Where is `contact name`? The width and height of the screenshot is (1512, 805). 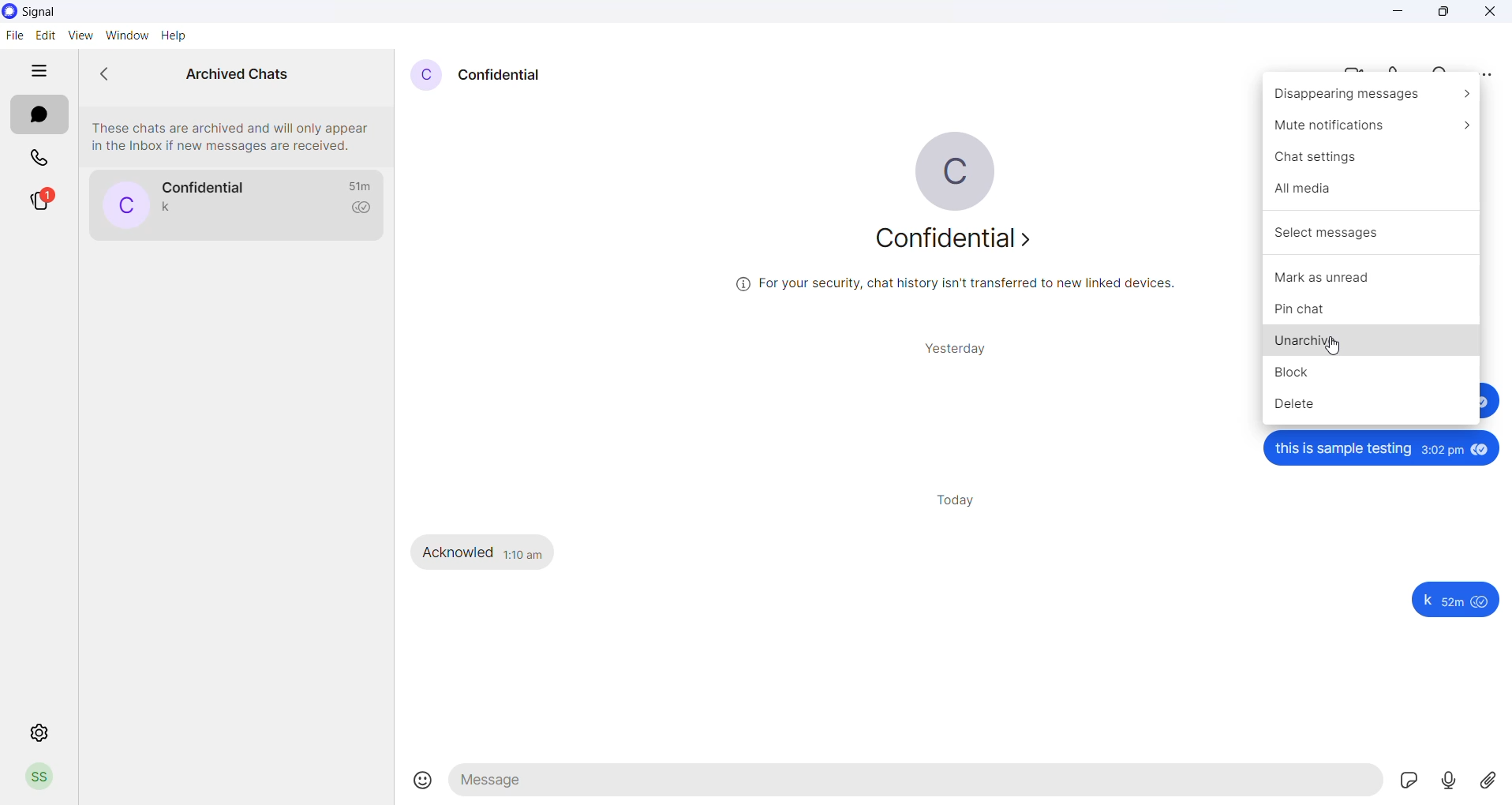
contact name is located at coordinates (202, 183).